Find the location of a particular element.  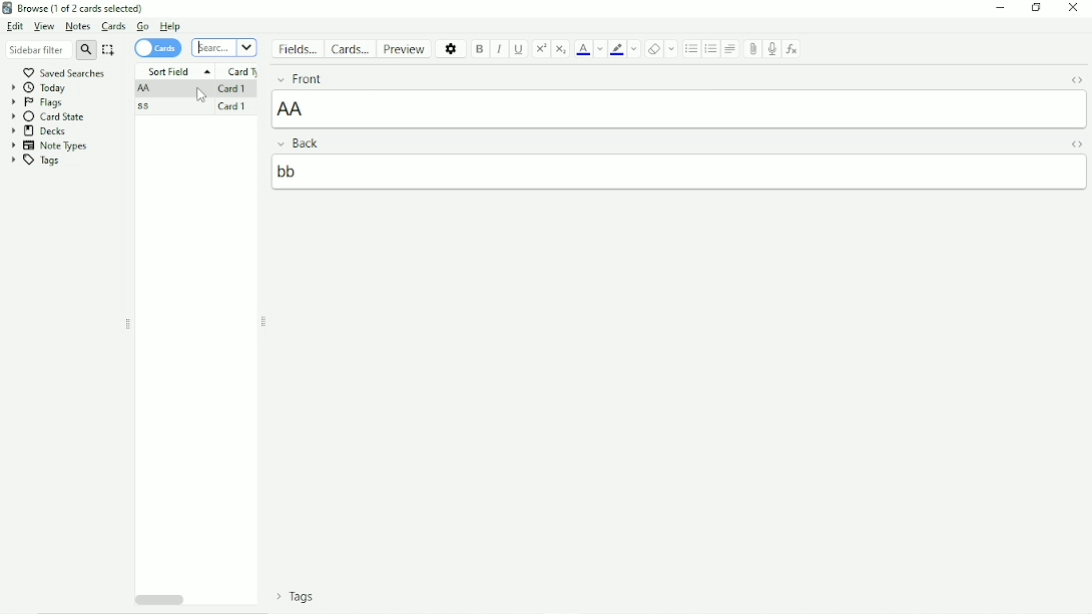

Note Types is located at coordinates (49, 145).